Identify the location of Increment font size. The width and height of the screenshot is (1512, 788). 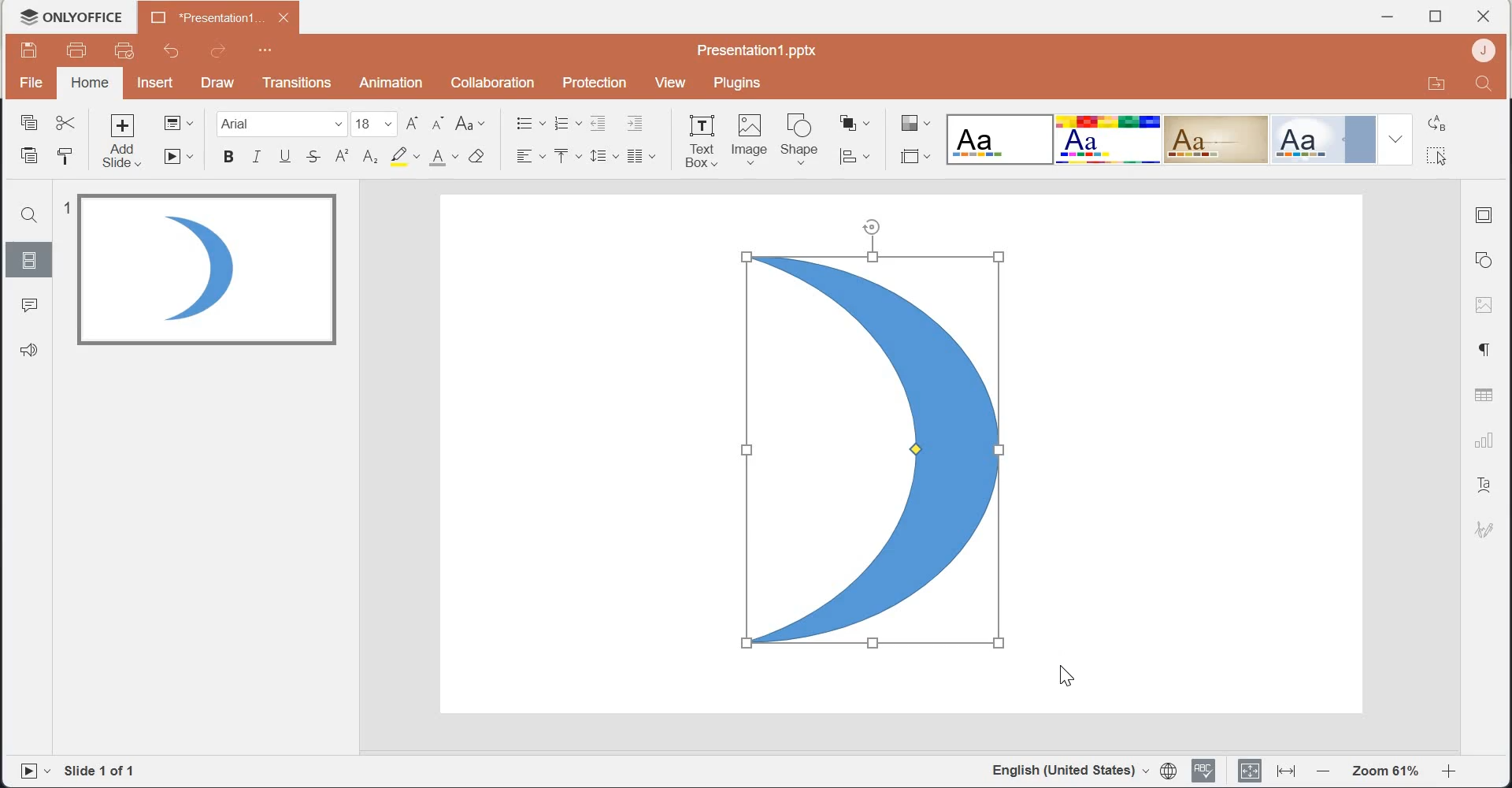
(412, 124).